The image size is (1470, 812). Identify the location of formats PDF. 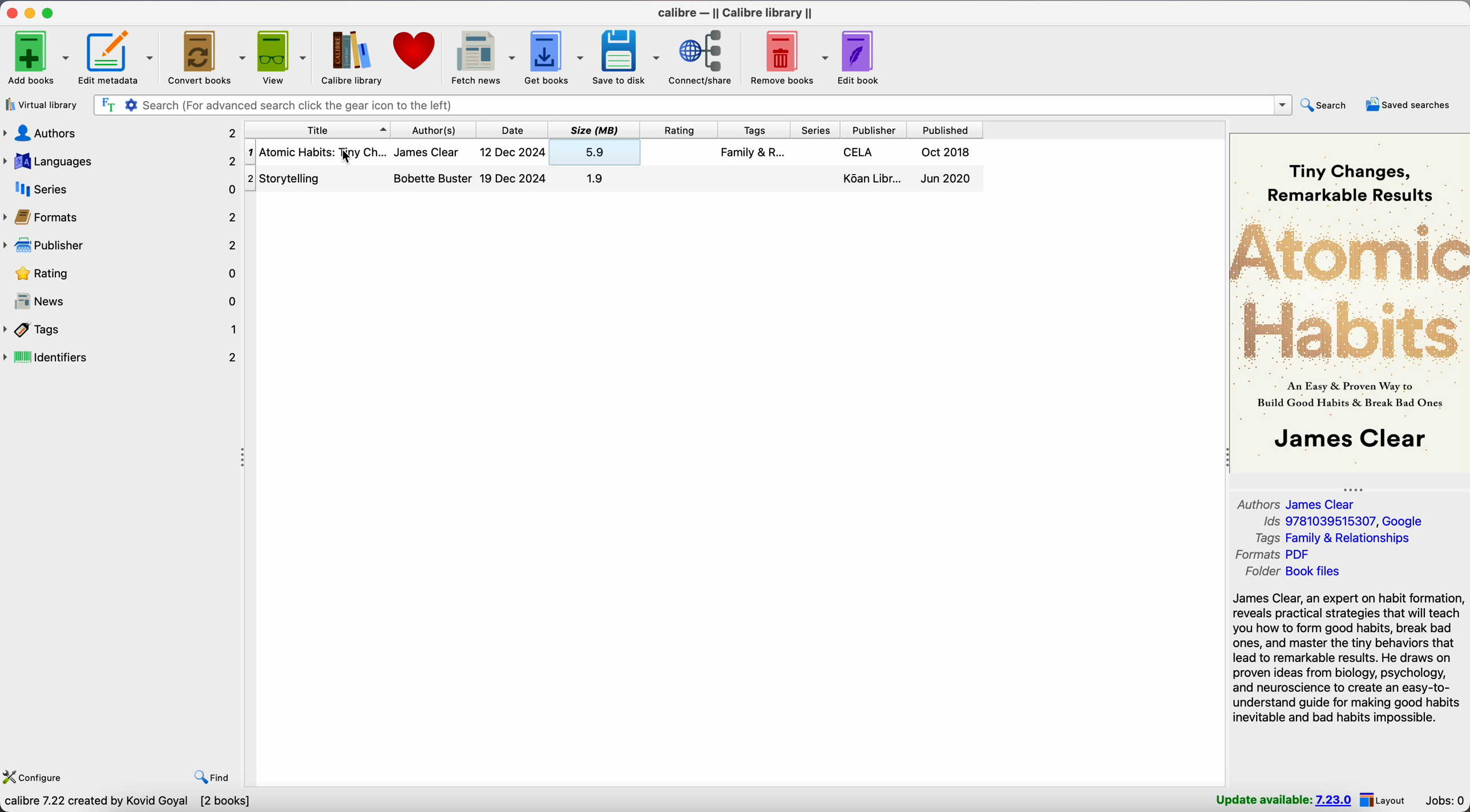
(1274, 555).